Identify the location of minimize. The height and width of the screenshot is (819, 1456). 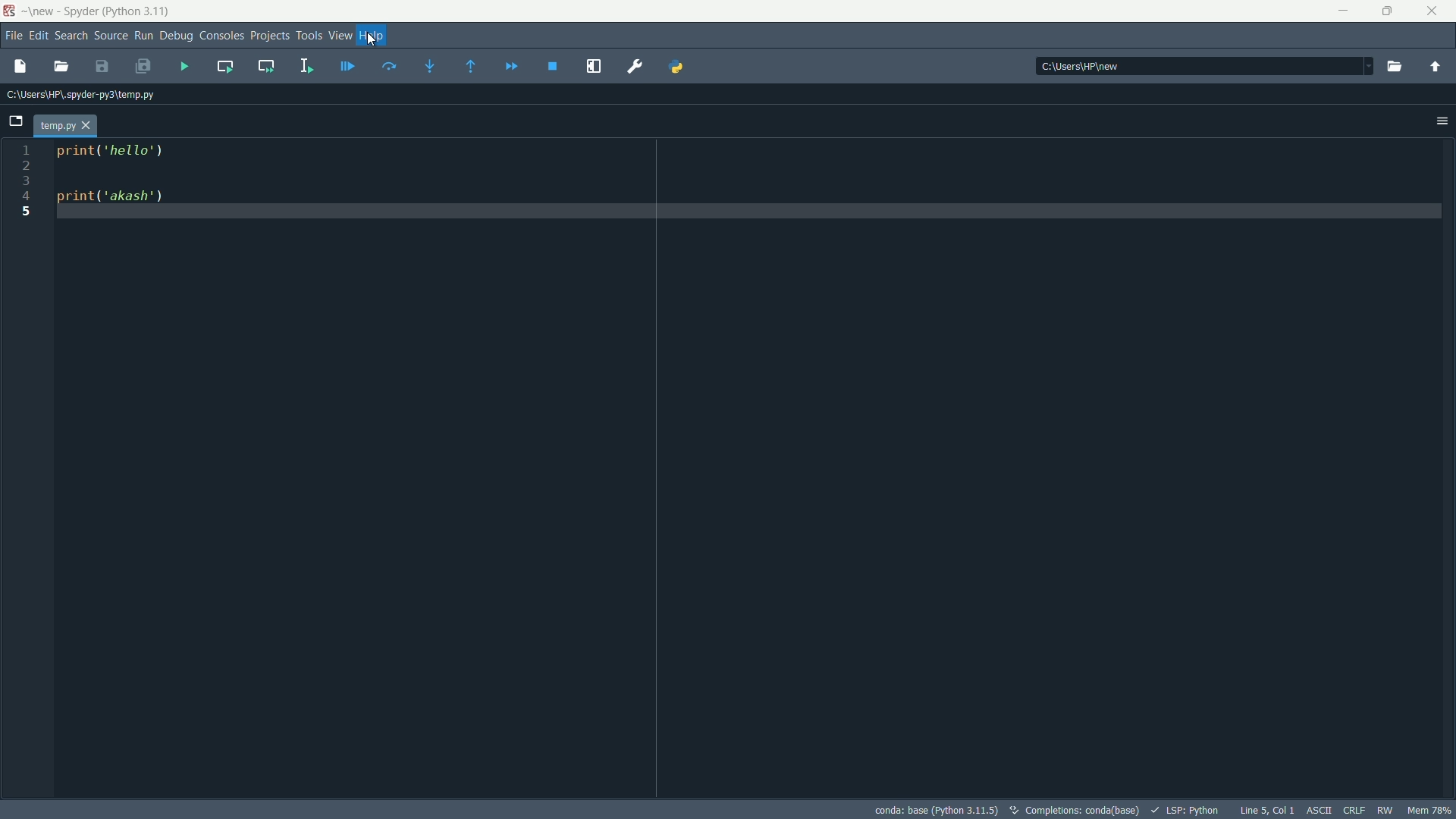
(1342, 10).